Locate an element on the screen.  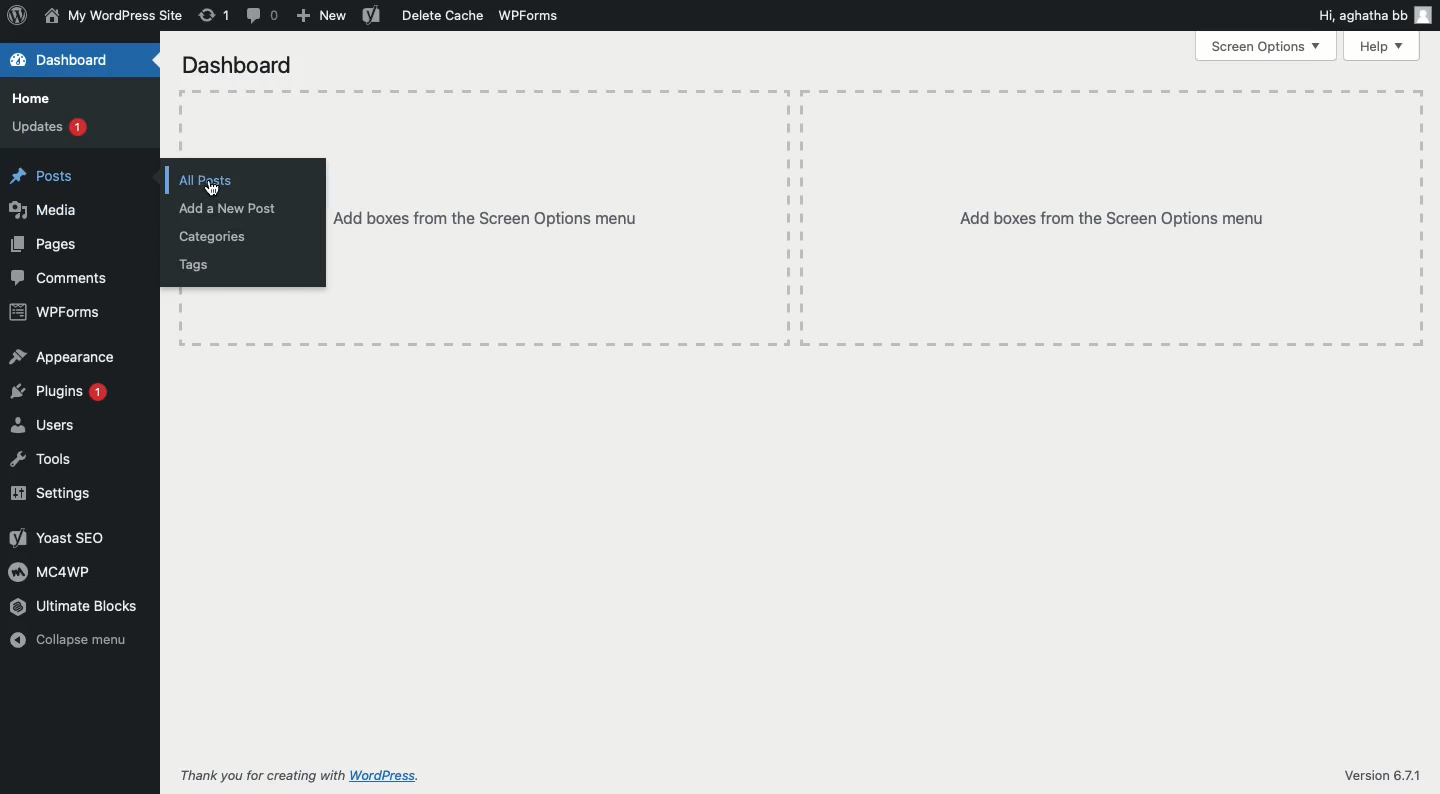
Help  is located at coordinates (1383, 46).